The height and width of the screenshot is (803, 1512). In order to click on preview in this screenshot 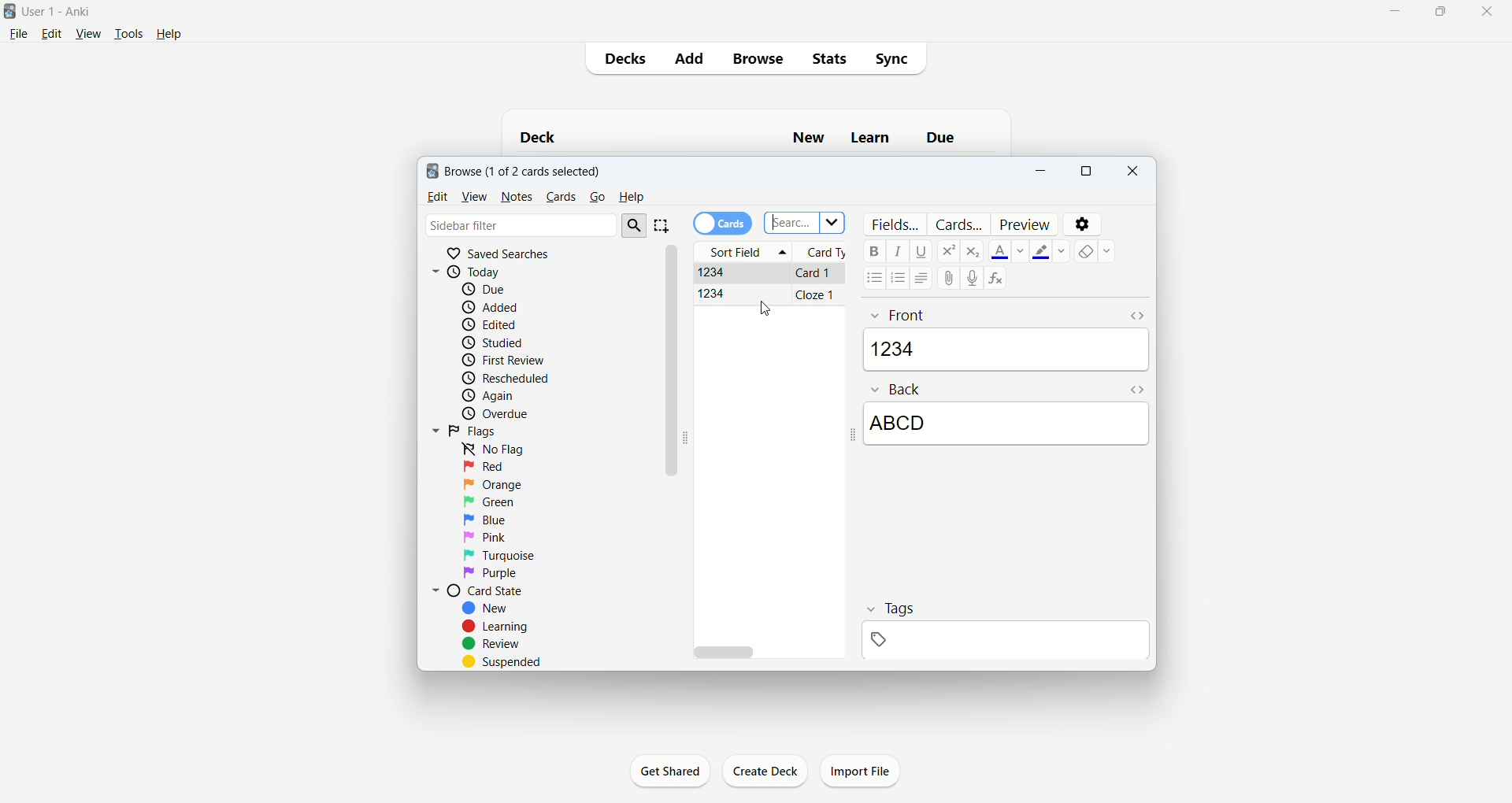, I will do `click(1027, 224)`.